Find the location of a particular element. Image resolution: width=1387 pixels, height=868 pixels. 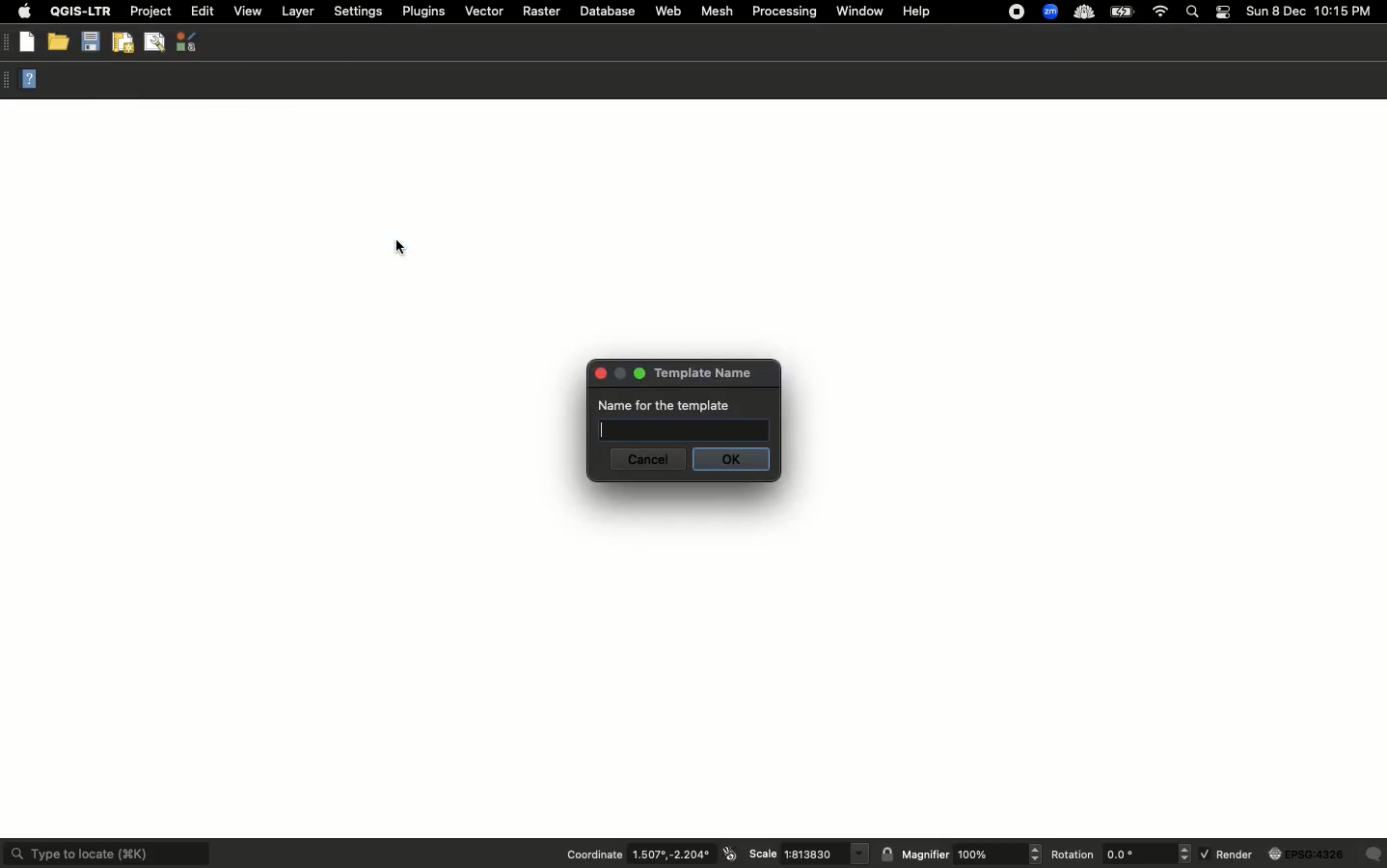

View is located at coordinates (247, 11).